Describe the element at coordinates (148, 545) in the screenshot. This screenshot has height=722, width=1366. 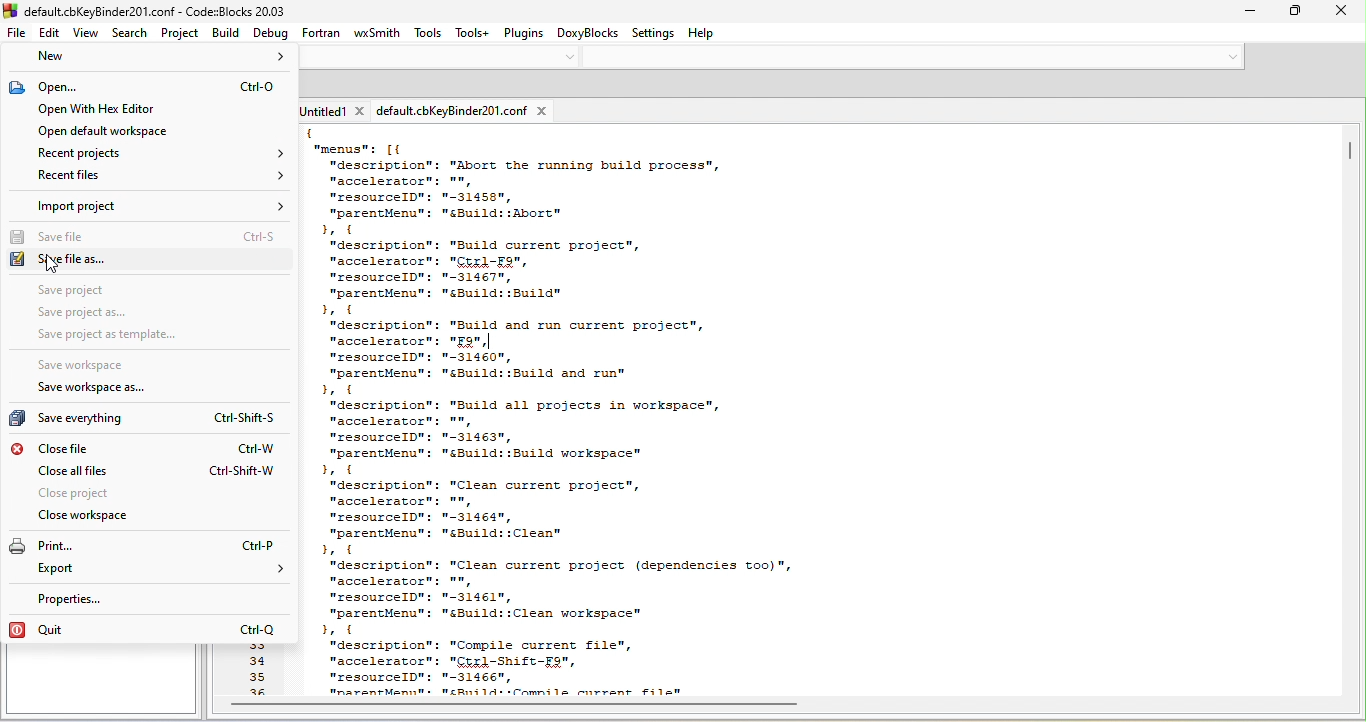
I see `print` at that location.